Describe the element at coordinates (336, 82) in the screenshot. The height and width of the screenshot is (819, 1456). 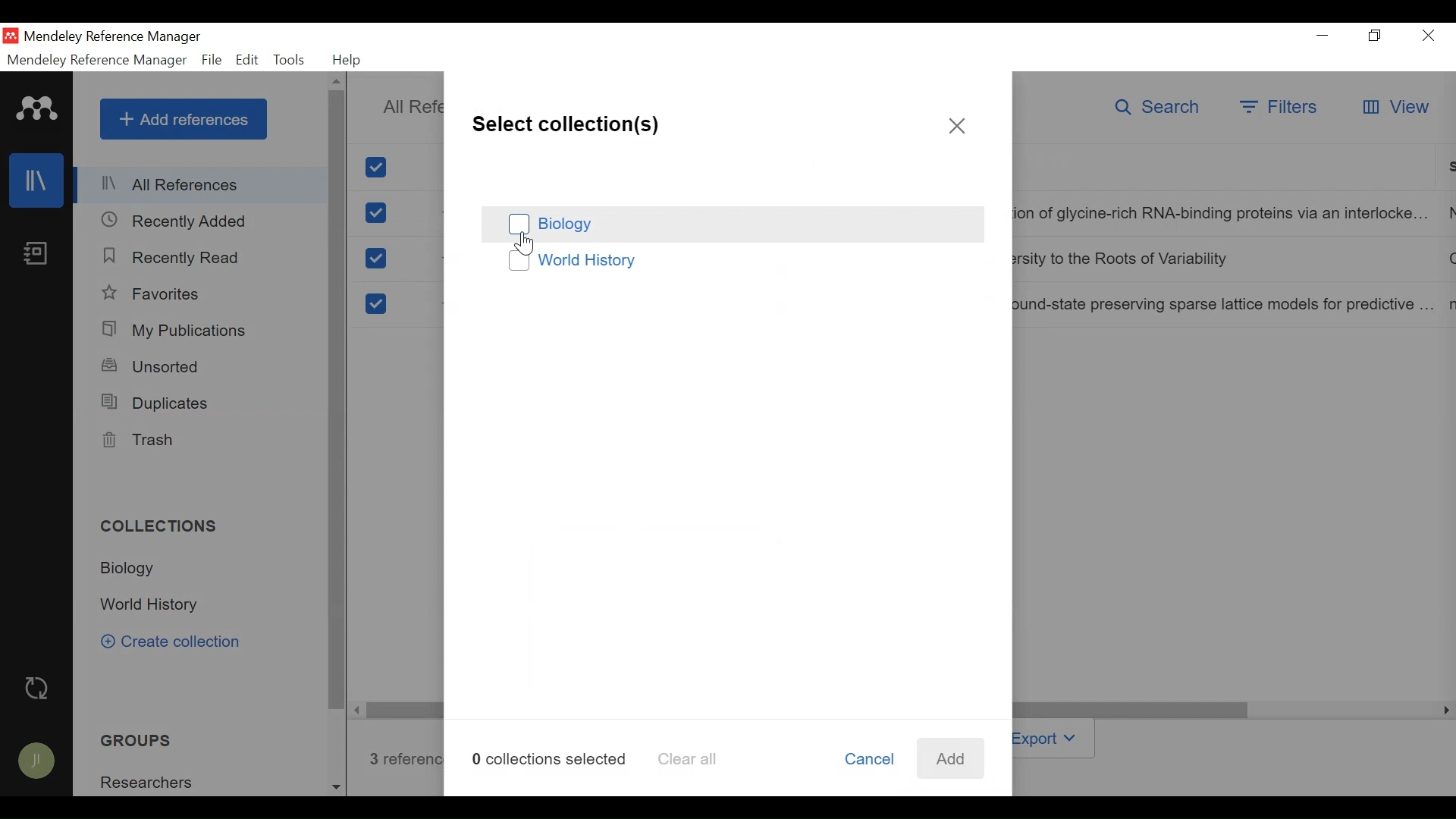
I see `Scroll up` at that location.